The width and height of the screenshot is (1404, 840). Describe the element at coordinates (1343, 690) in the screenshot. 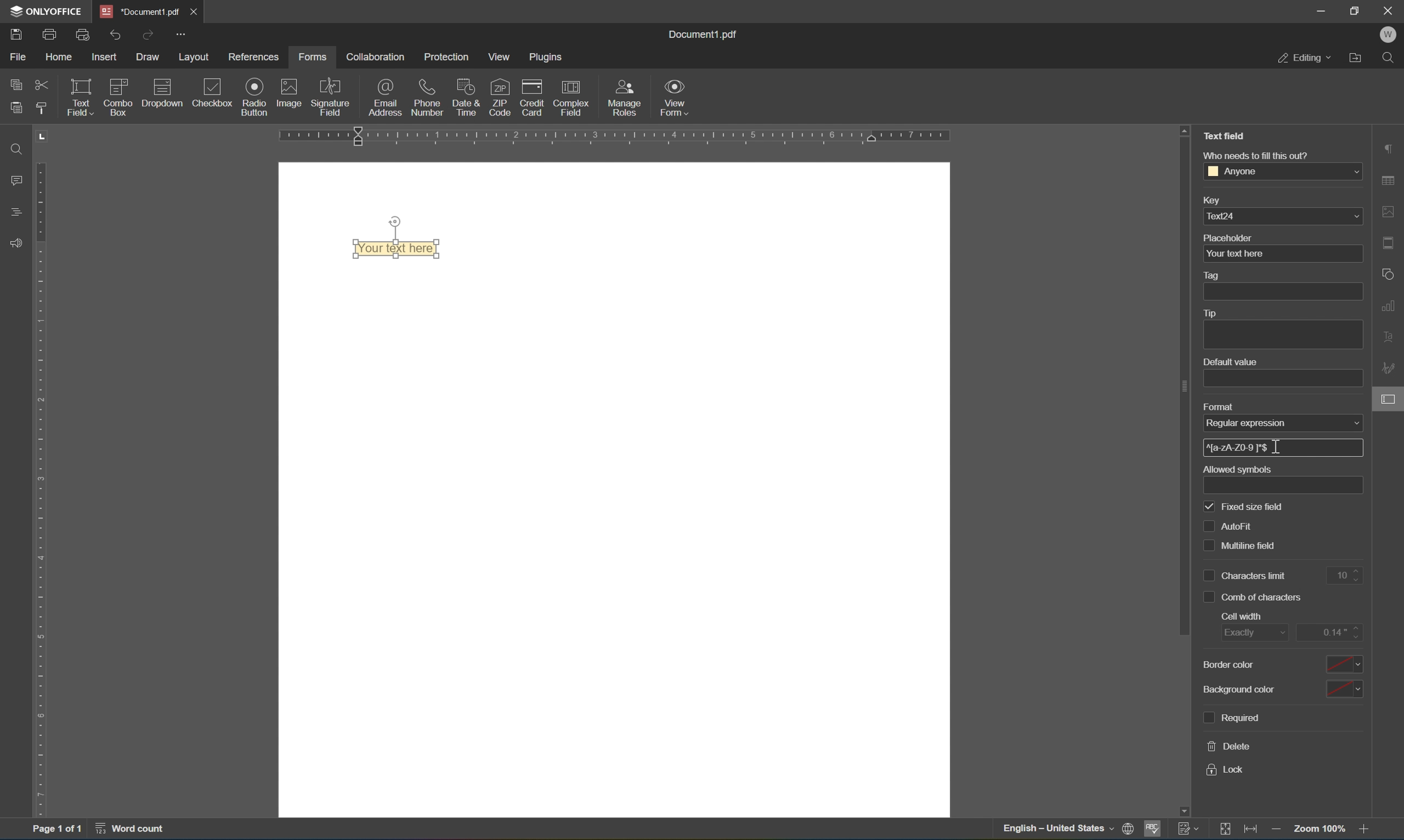

I see `select background color` at that location.